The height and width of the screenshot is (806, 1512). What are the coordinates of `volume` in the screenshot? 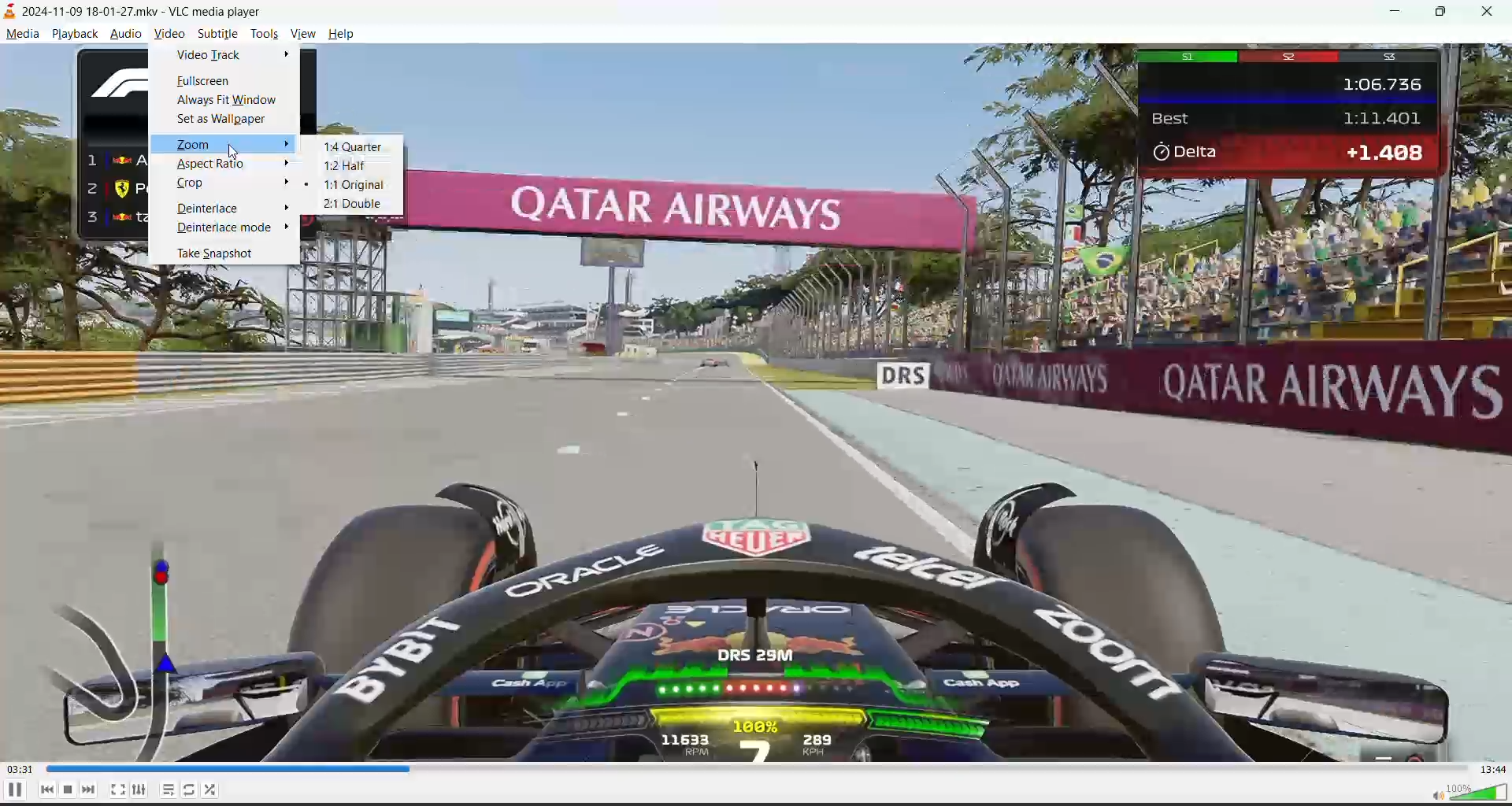 It's located at (1469, 791).